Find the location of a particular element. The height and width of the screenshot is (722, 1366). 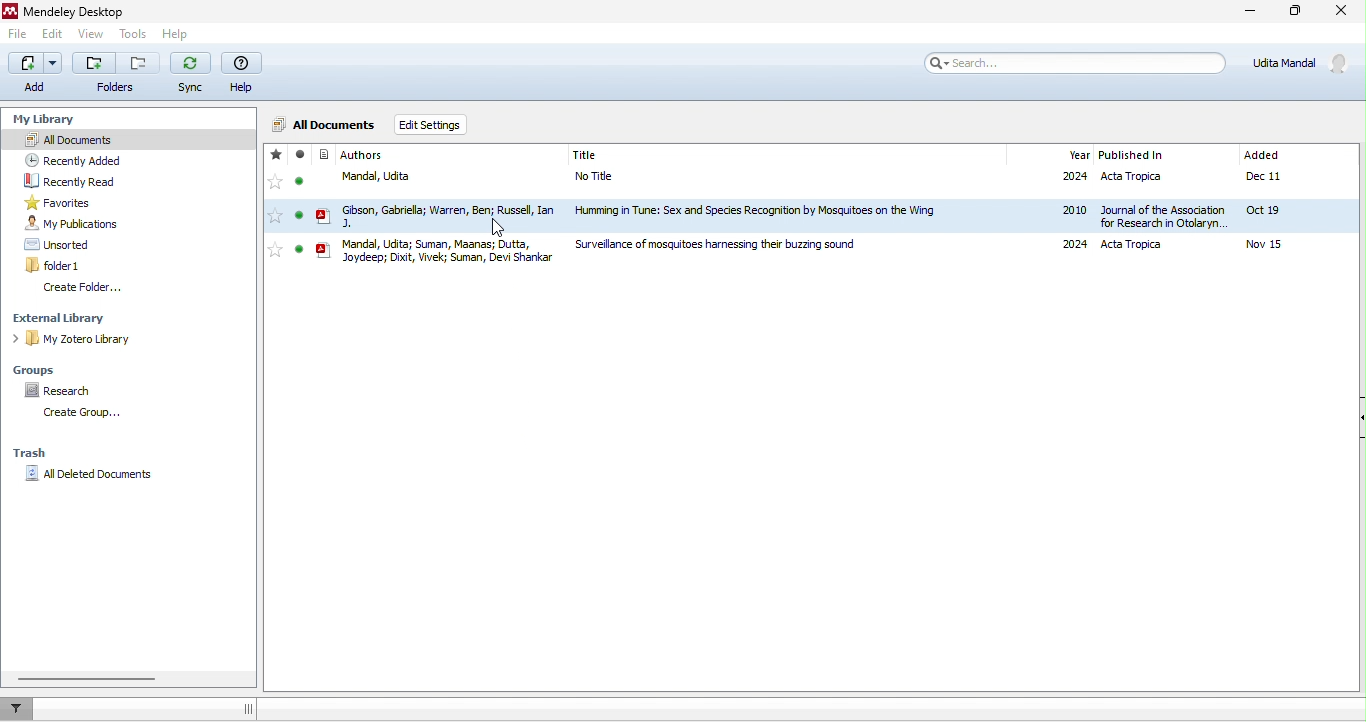

trash is located at coordinates (40, 452).